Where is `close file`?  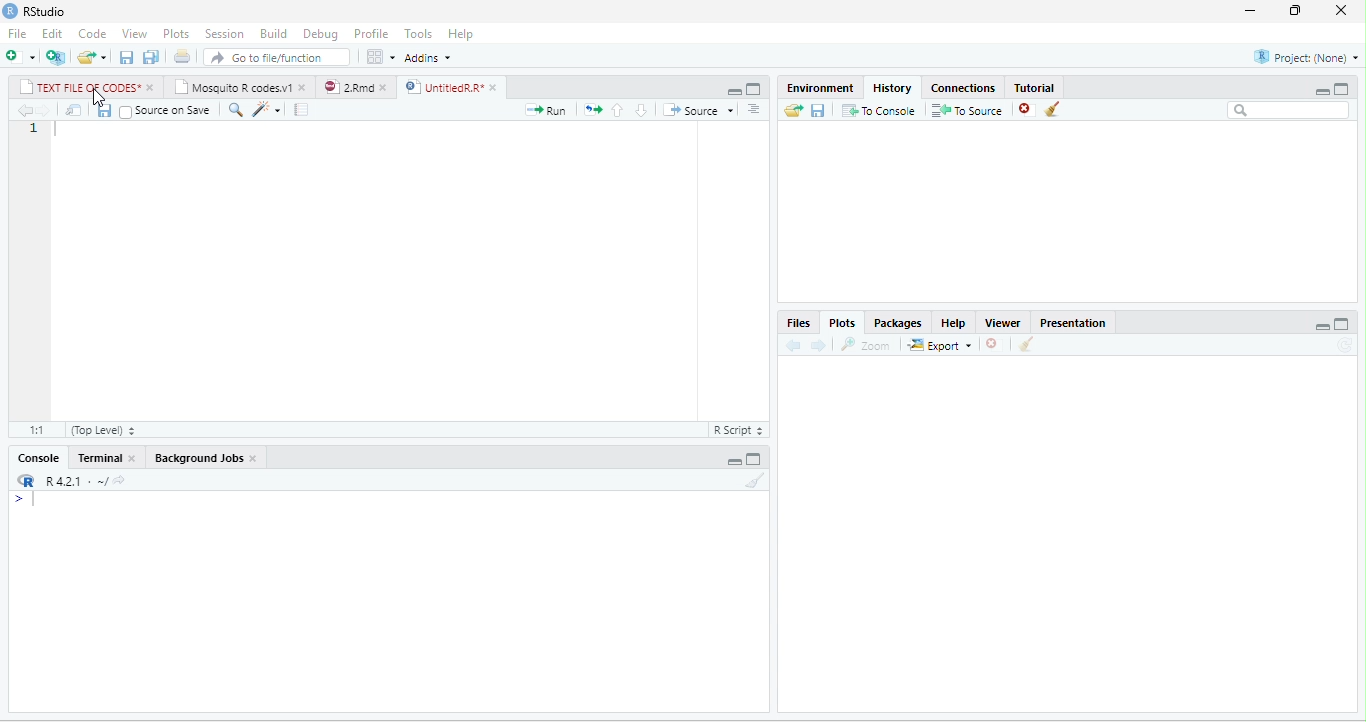 close file is located at coordinates (1027, 109).